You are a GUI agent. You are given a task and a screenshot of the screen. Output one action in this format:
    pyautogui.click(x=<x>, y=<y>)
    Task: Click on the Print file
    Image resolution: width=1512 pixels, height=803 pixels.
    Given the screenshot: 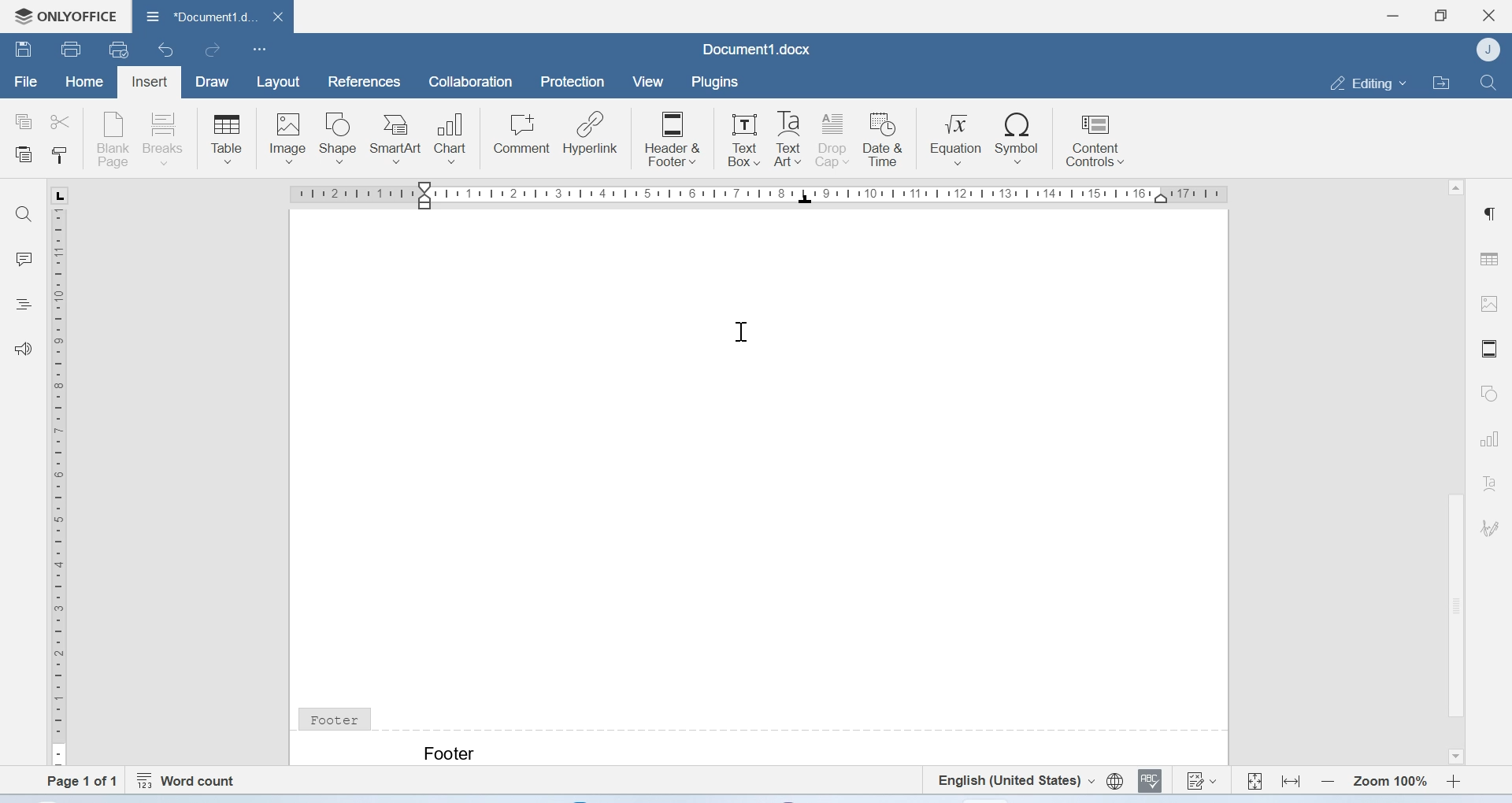 What is the action you would take?
    pyautogui.click(x=70, y=48)
    